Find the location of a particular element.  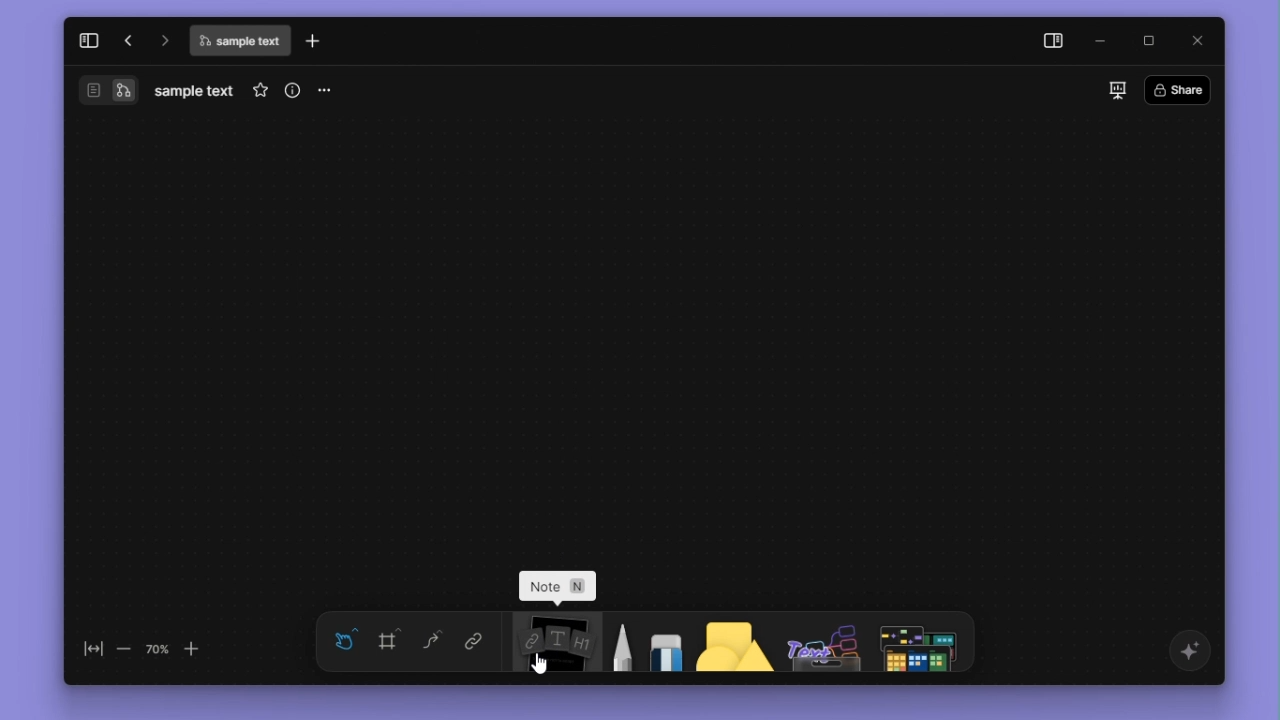

switch between page and edgeless is located at coordinates (108, 92).